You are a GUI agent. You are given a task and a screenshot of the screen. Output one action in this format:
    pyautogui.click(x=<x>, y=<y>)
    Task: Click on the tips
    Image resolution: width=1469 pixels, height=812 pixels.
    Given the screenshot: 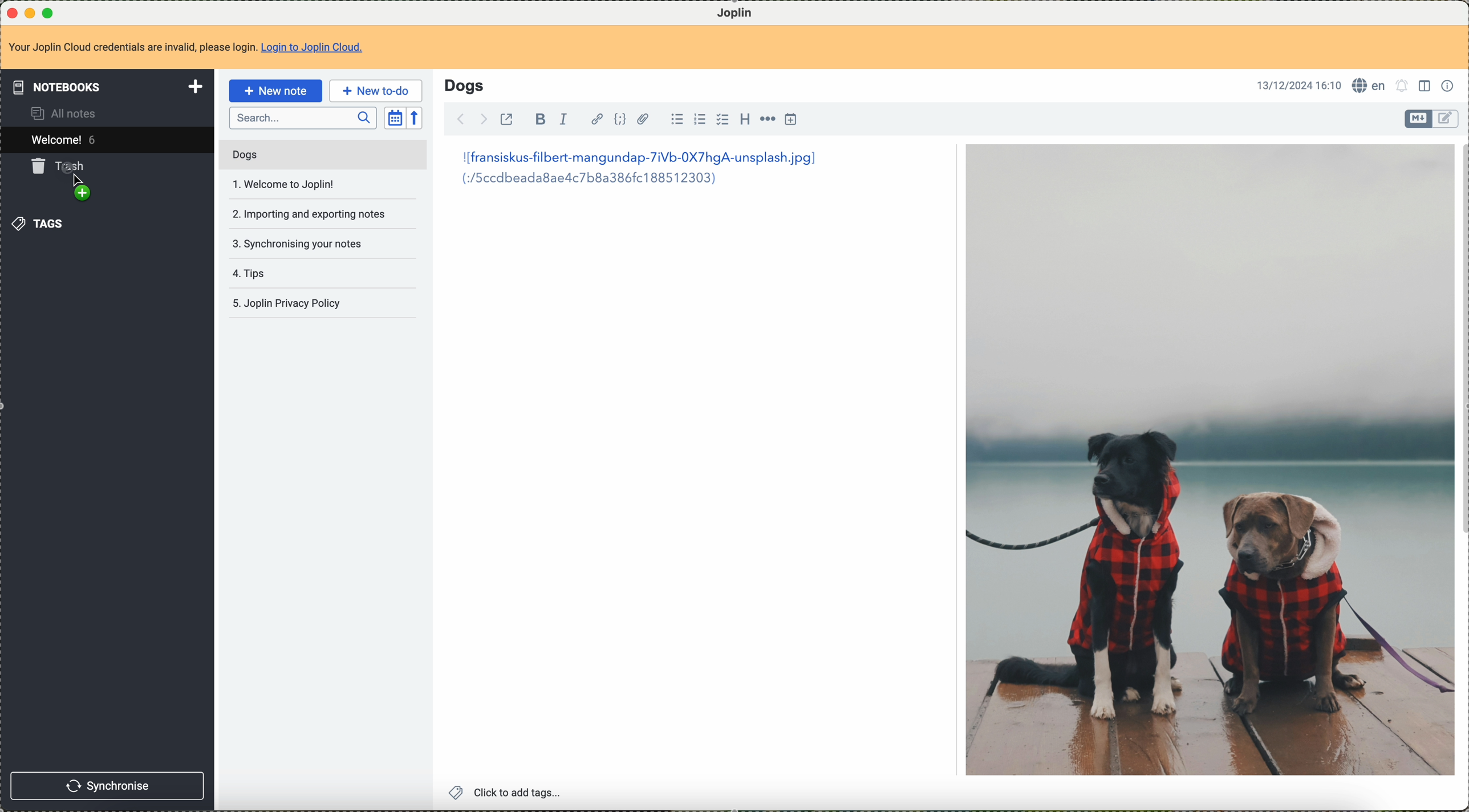 What is the action you would take?
    pyautogui.click(x=253, y=274)
    